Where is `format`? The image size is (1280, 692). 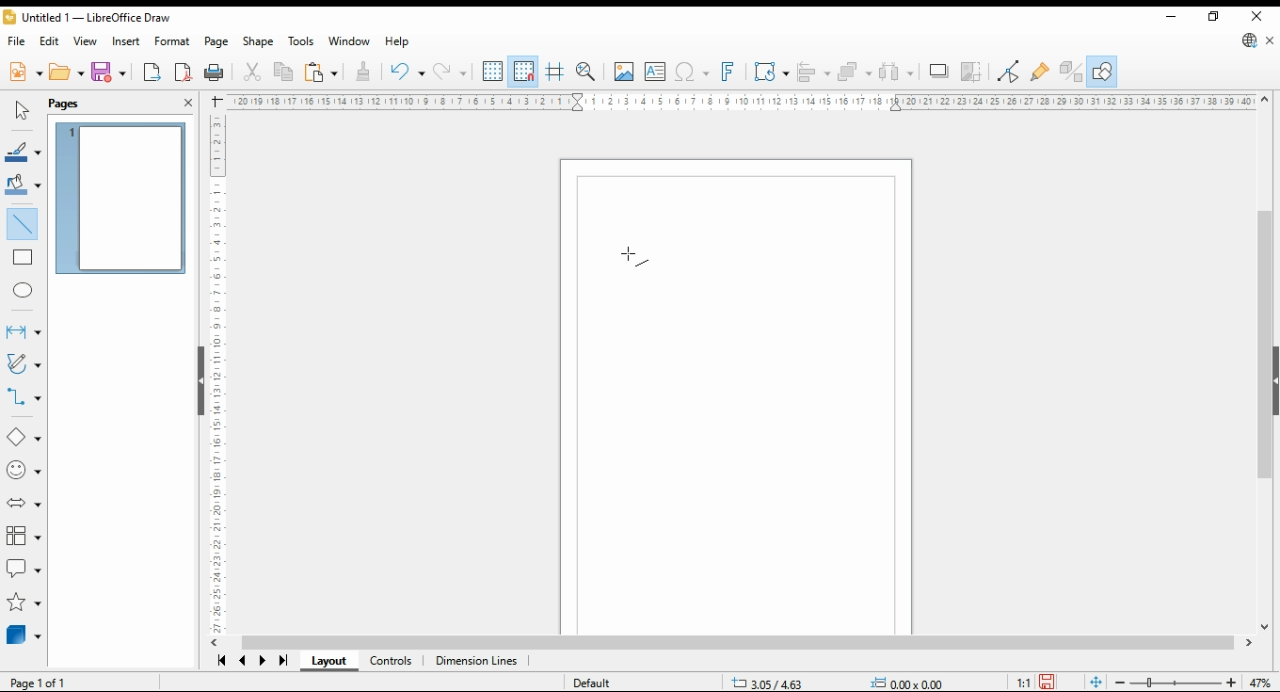 format is located at coordinates (172, 40).